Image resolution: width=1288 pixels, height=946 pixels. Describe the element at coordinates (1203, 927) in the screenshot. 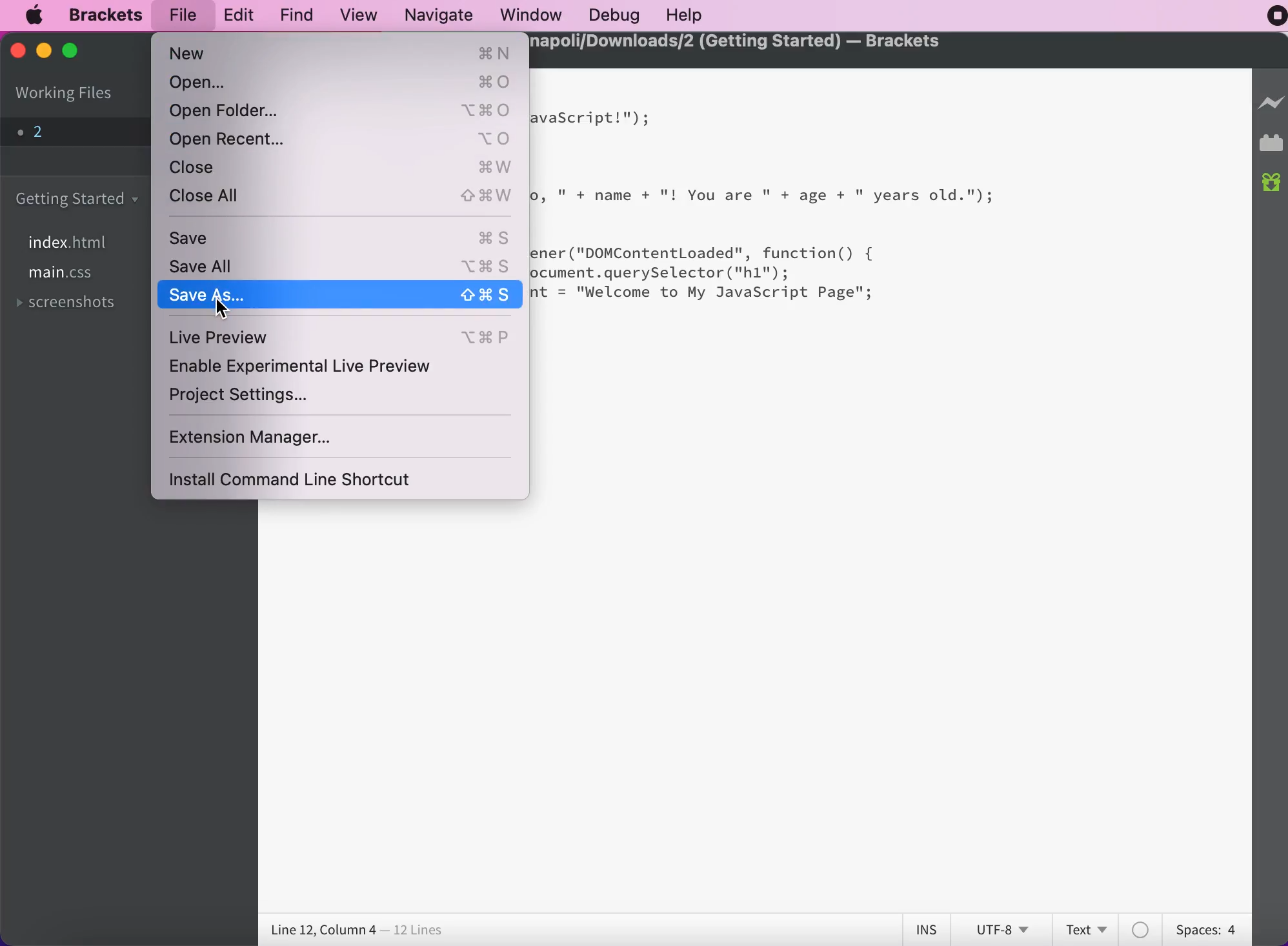

I see `spaces: 4` at that location.